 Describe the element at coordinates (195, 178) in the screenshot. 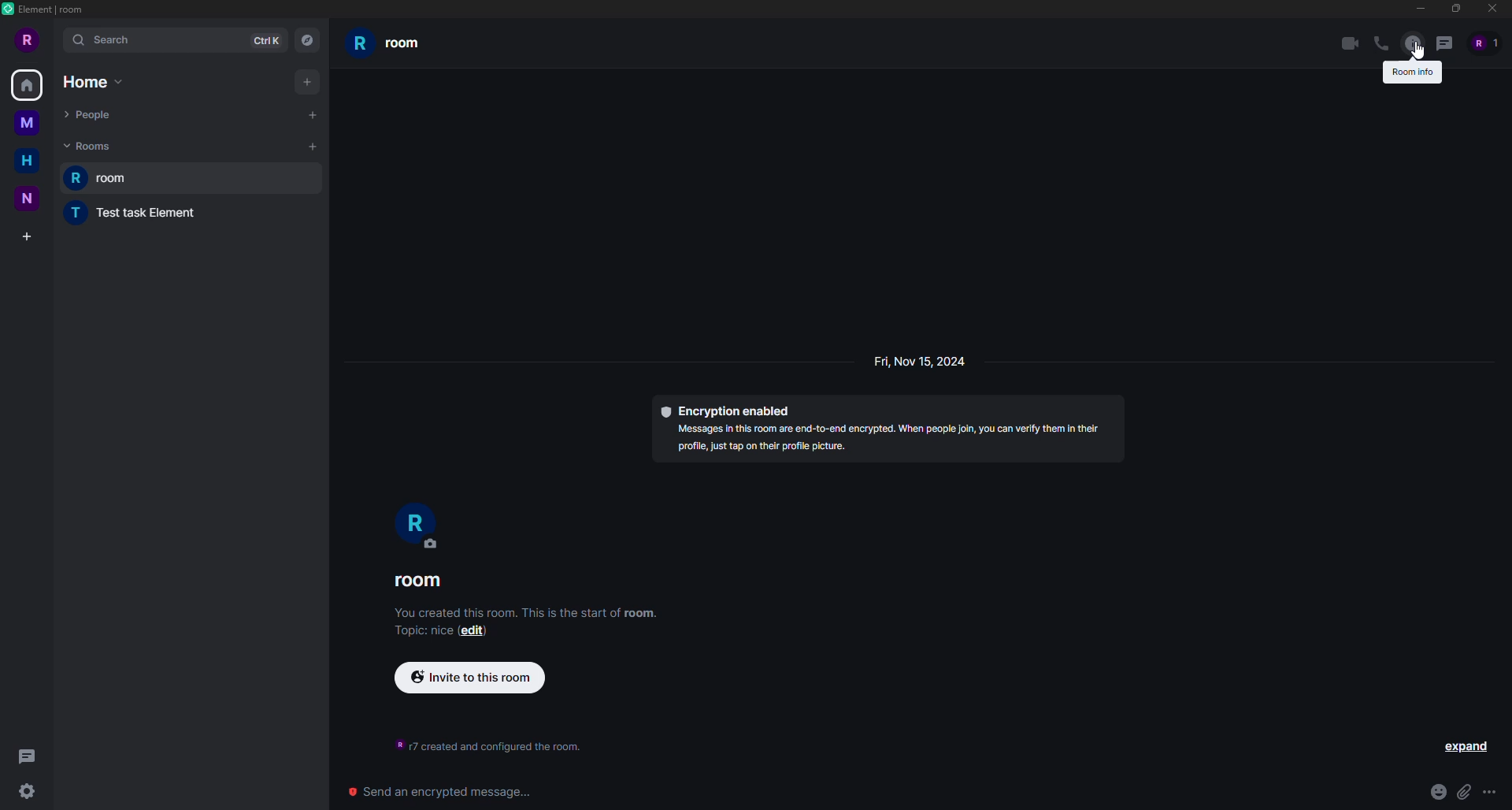

I see `room R` at that location.